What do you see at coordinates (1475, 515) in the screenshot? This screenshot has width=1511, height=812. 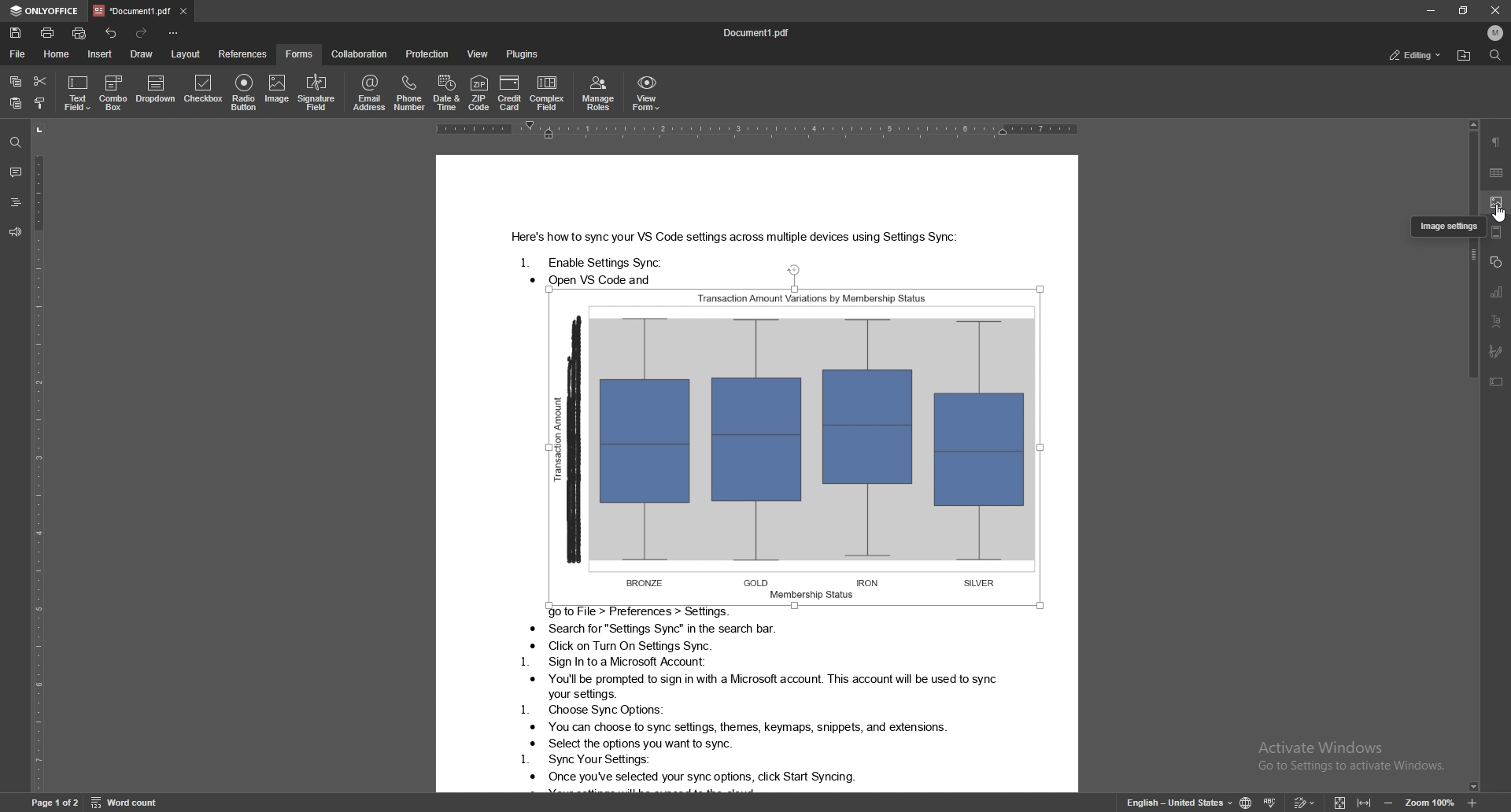 I see `scroll bar` at bounding box center [1475, 515].